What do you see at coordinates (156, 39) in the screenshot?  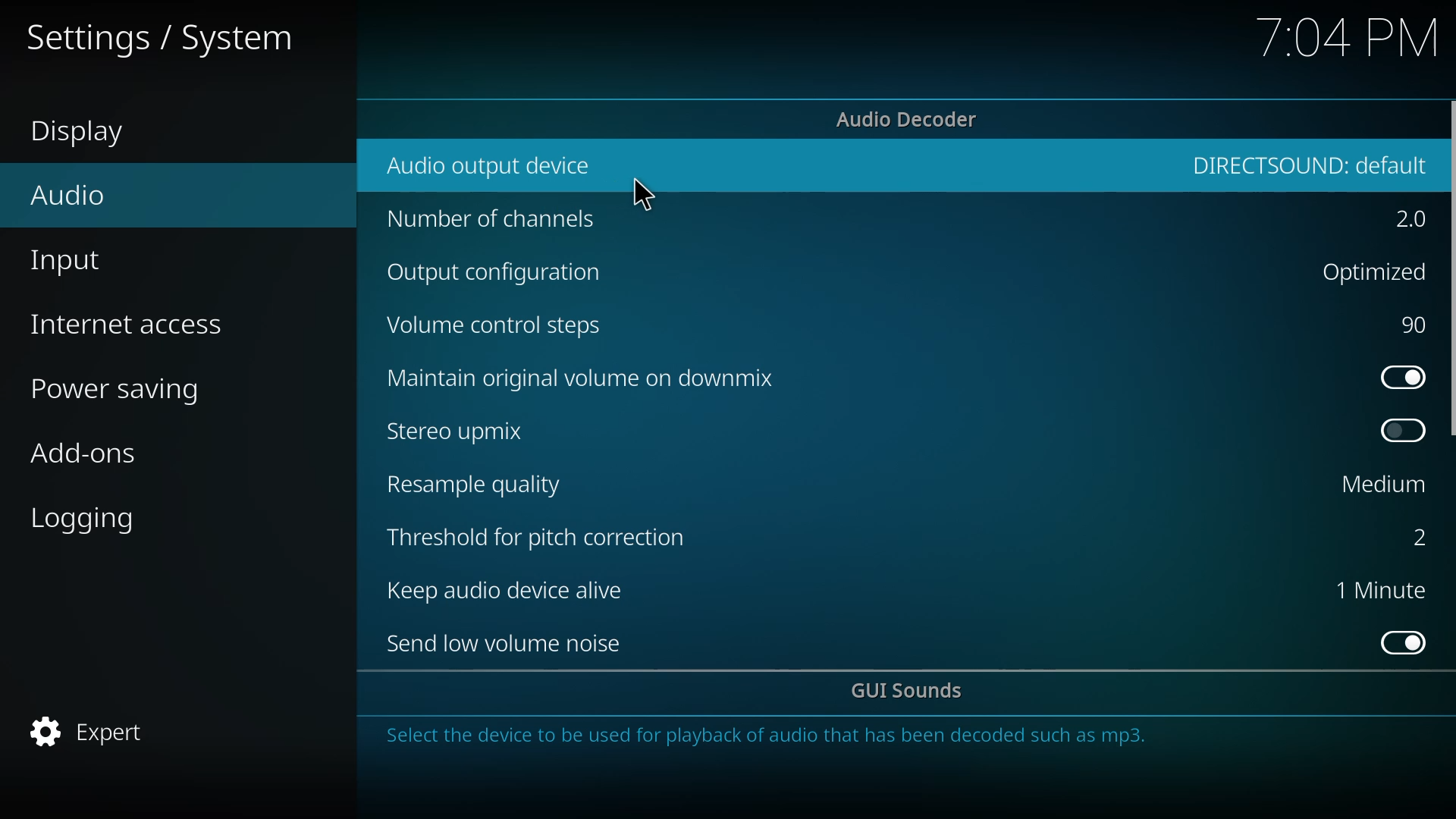 I see `settings/system` at bounding box center [156, 39].